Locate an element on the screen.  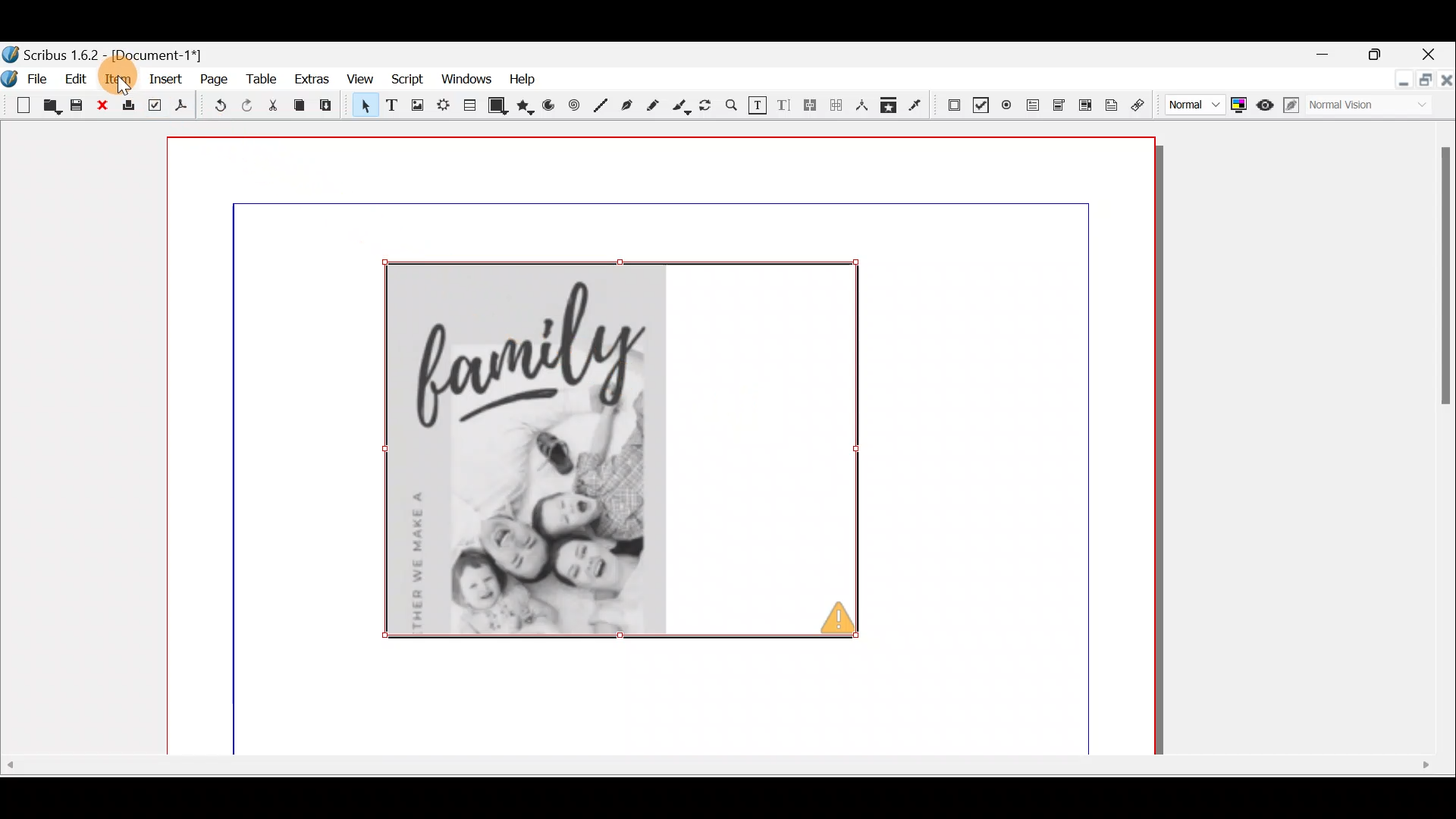
Line is located at coordinates (601, 104).